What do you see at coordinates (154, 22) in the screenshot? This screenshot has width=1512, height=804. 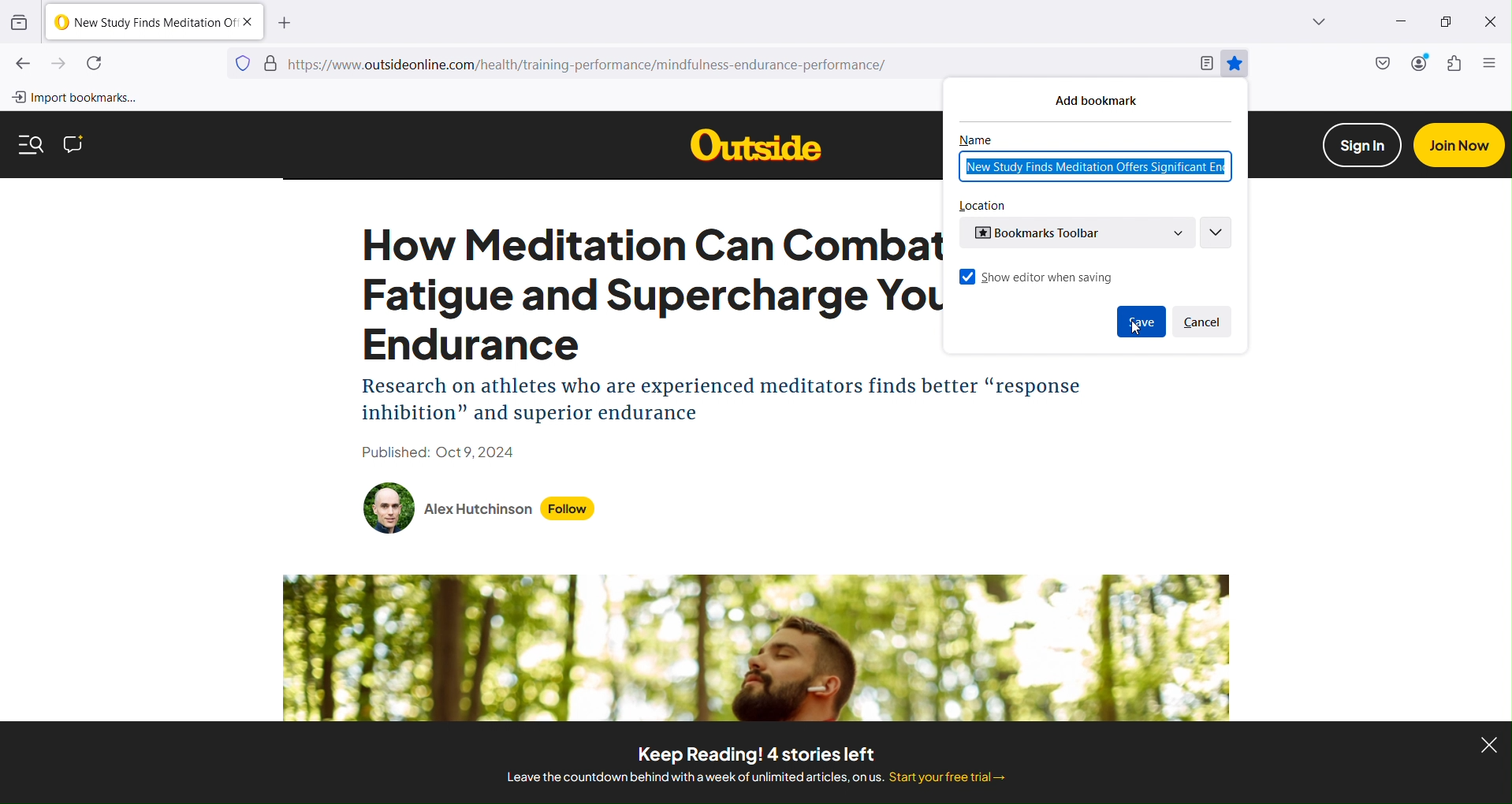 I see `Current Tab` at bounding box center [154, 22].